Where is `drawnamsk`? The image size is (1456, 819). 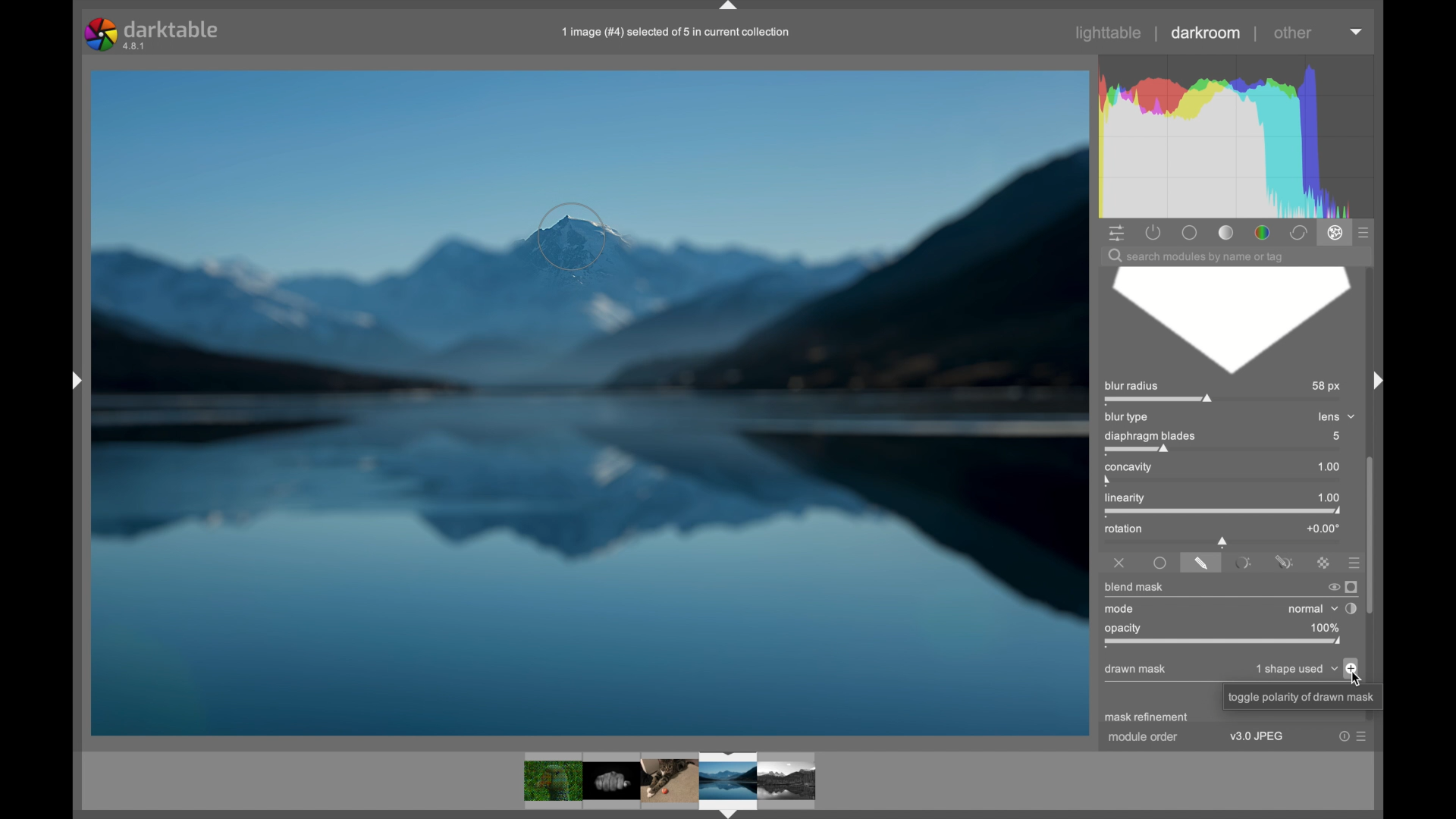
drawnamsk is located at coordinates (1201, 562).